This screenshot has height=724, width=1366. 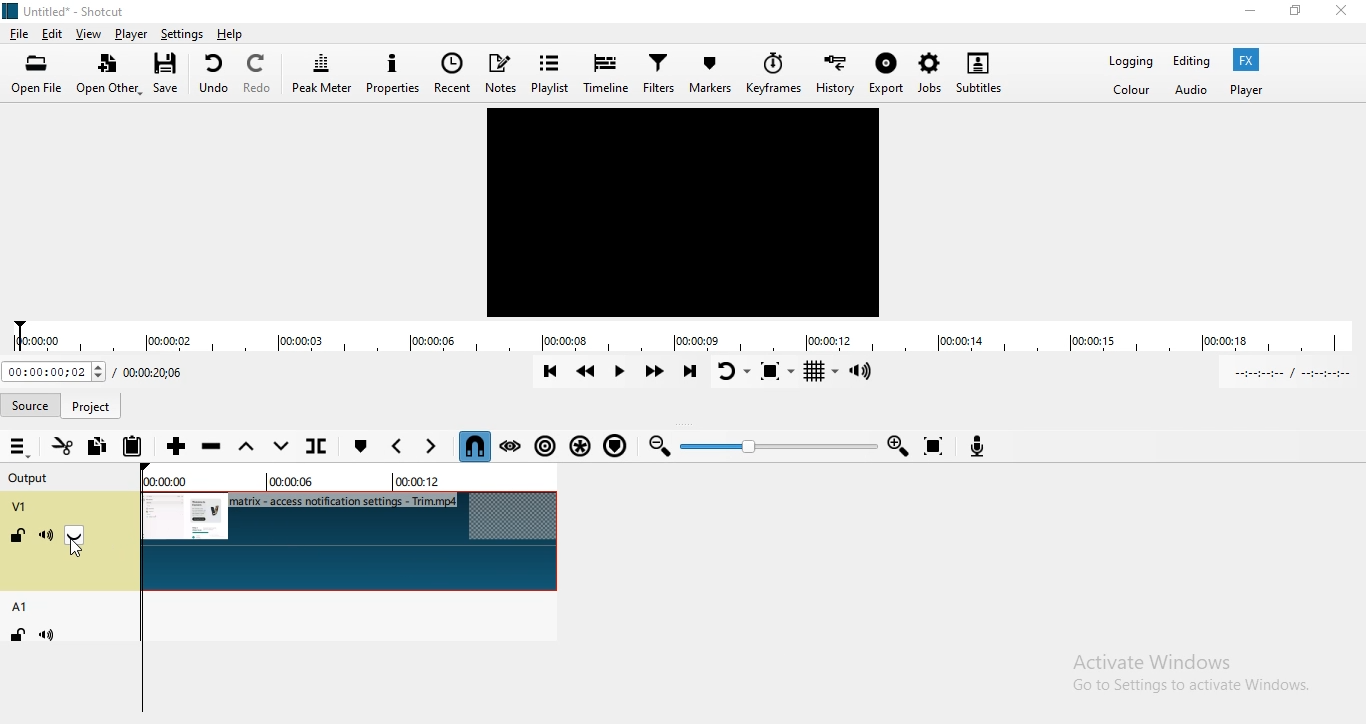 What do you see at coordinates (605, 74) in the screenshot?
I see `` at bounding box center [605, 74].